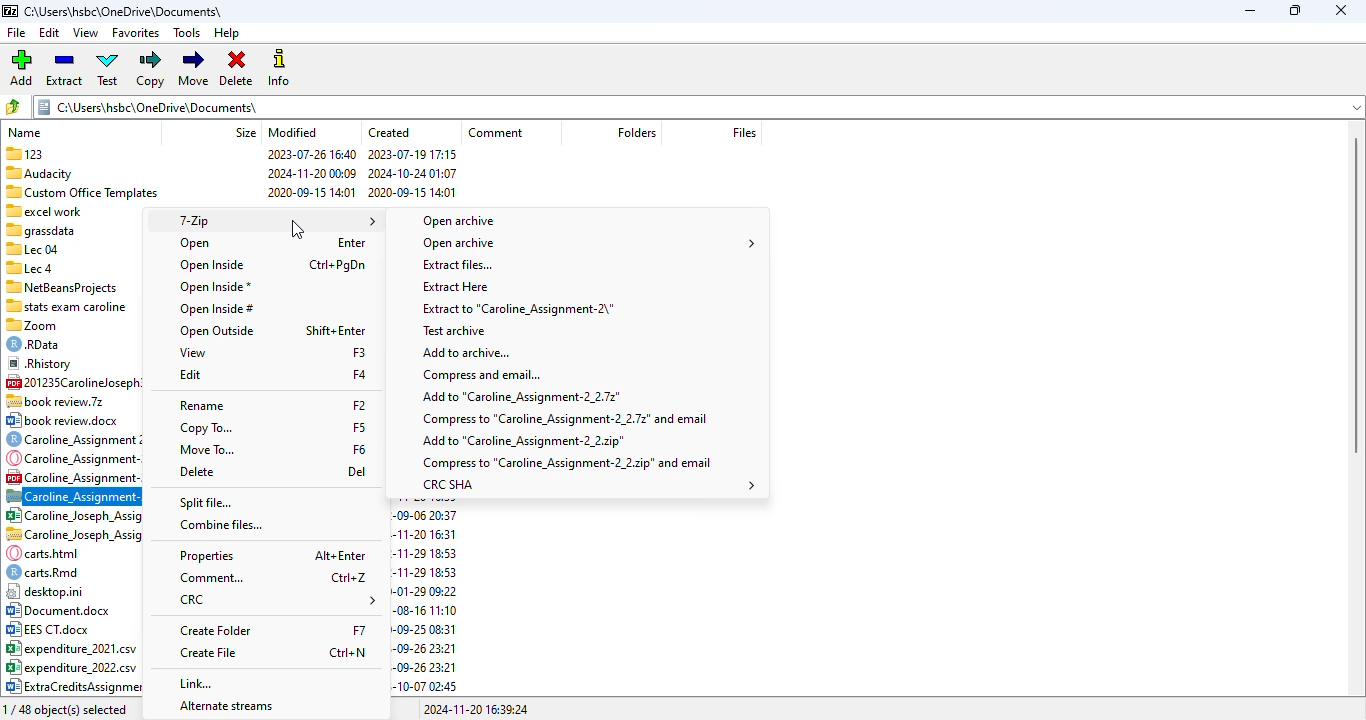 The image size is (1366, 720). Describe the element at coordinates (72, 687) in the screenshot. I see `04) ExtraCreditsAssignment... 60228 2023-10-07 02:57 2023-10-07 02:45` at that location.